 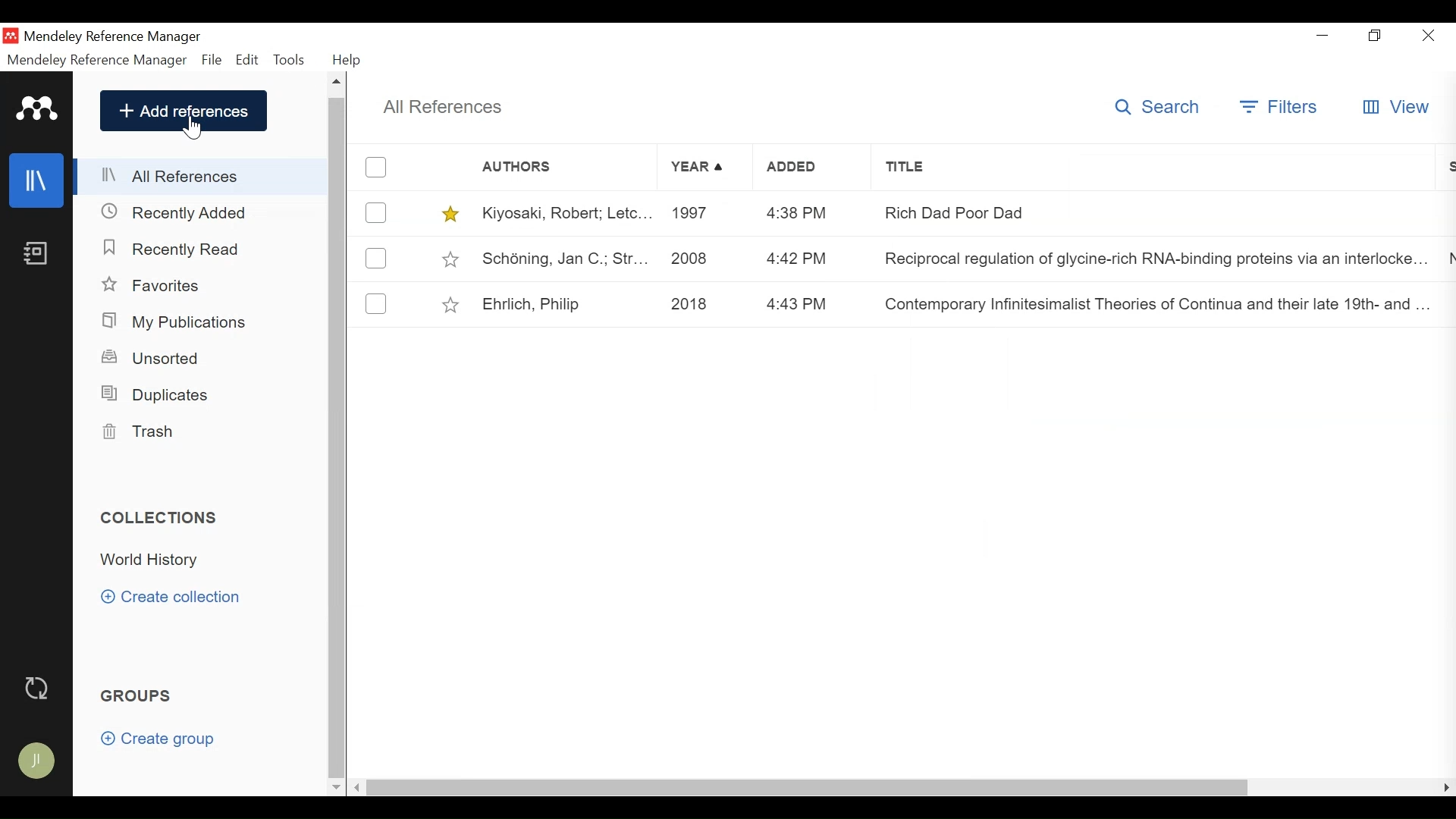 What do you see at coordinates (695, 303) in the screenshot?
I see `2018` at bounding box center [695, 303].